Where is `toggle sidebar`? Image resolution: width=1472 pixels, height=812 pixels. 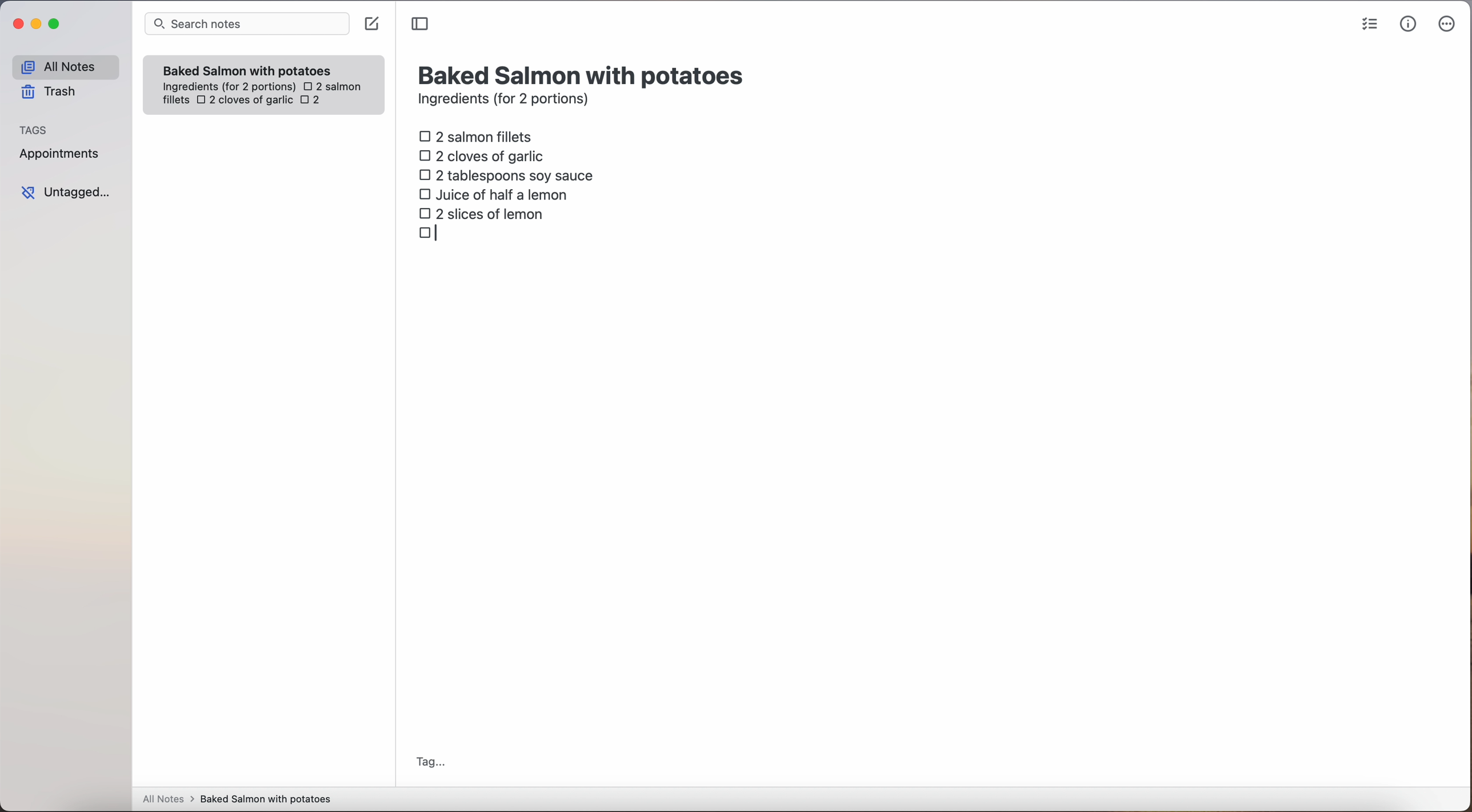
toggle sidebar is located at coordinates (421, 25).